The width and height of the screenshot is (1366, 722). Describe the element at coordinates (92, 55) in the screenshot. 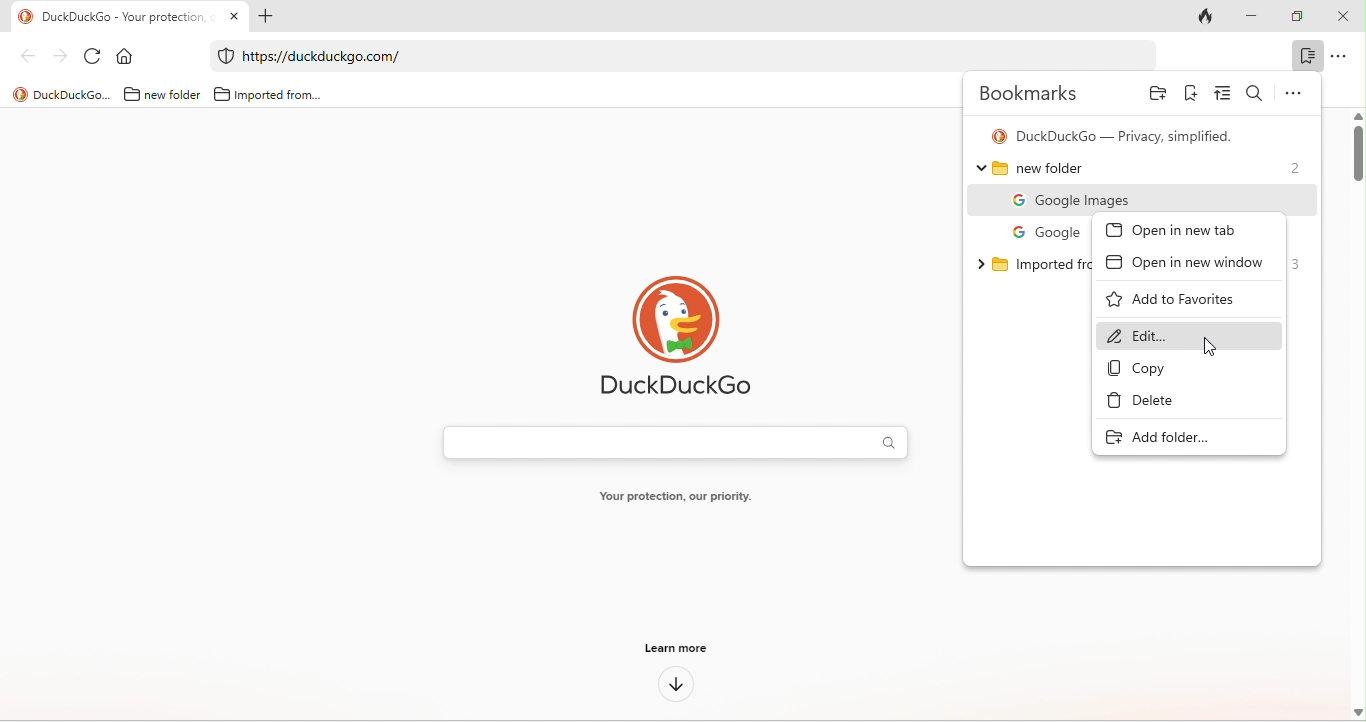

I see `refresh` at that location.